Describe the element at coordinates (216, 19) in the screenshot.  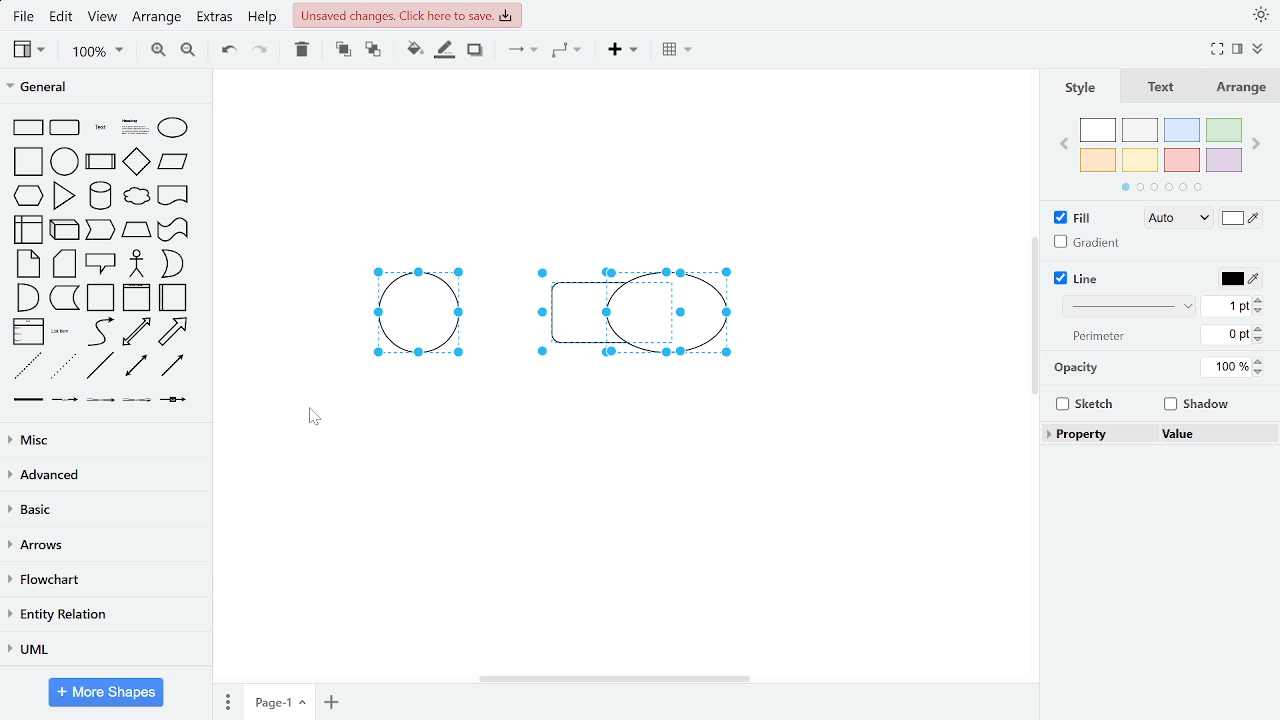
I see `extras` at that location.